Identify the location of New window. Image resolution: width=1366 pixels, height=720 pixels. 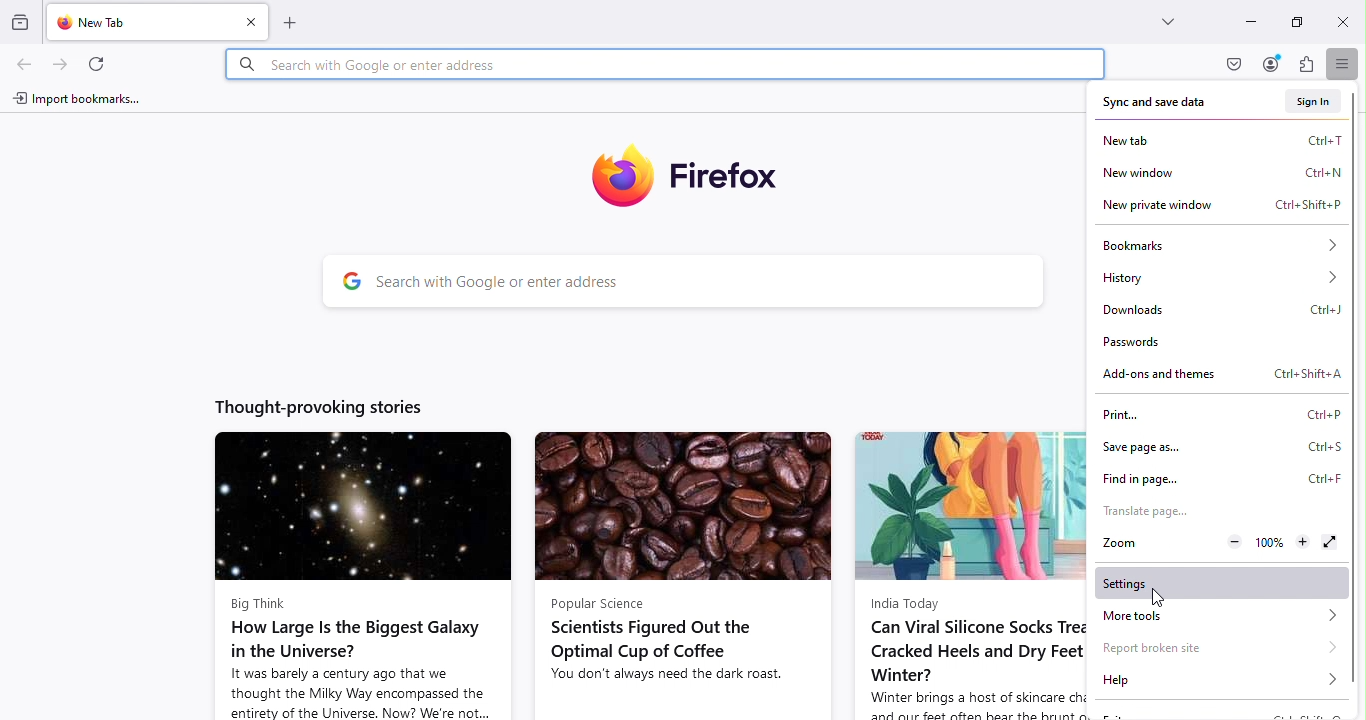
(1219, 172).